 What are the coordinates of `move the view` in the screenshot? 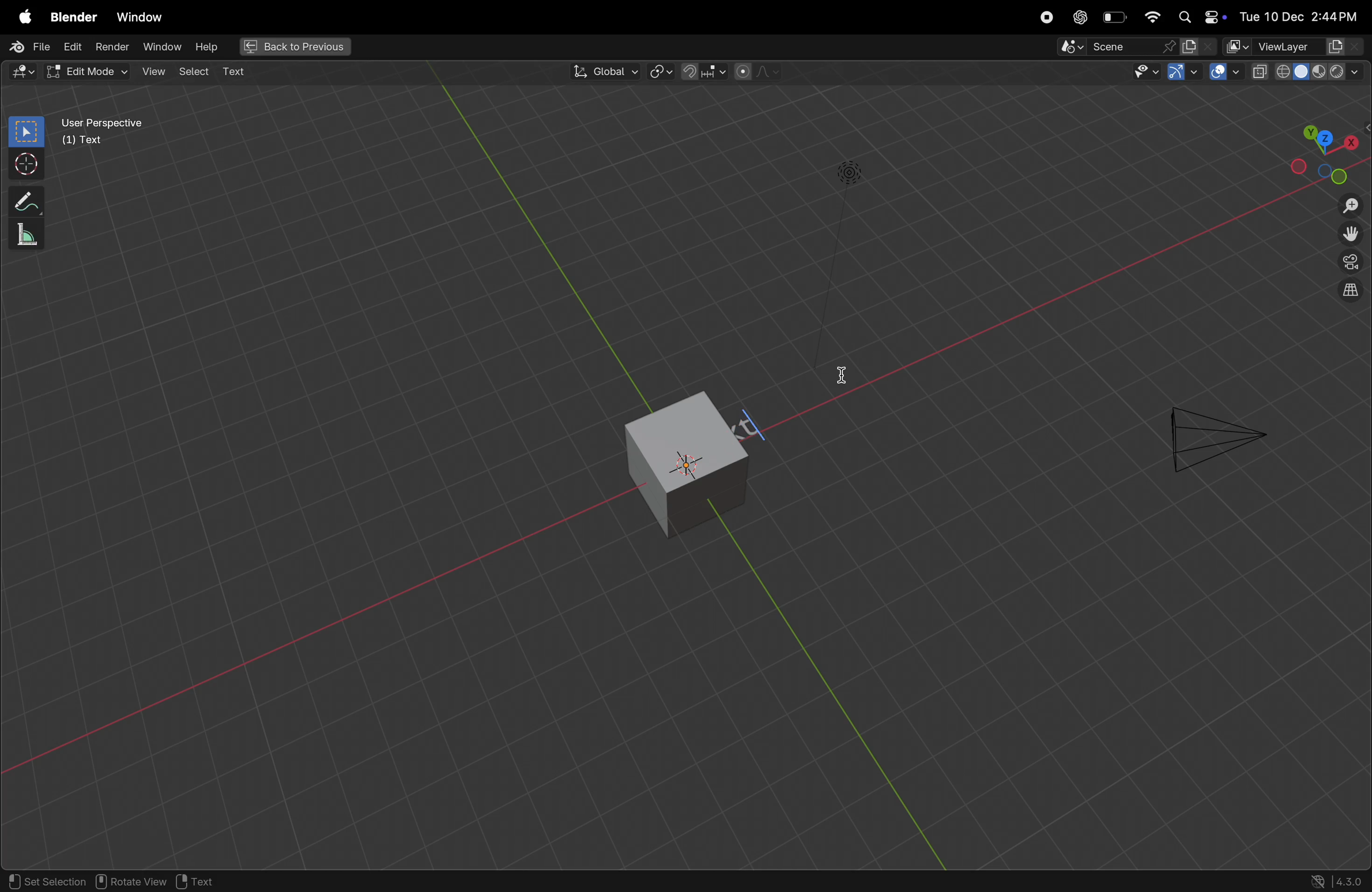 It's located at (1350, 236).